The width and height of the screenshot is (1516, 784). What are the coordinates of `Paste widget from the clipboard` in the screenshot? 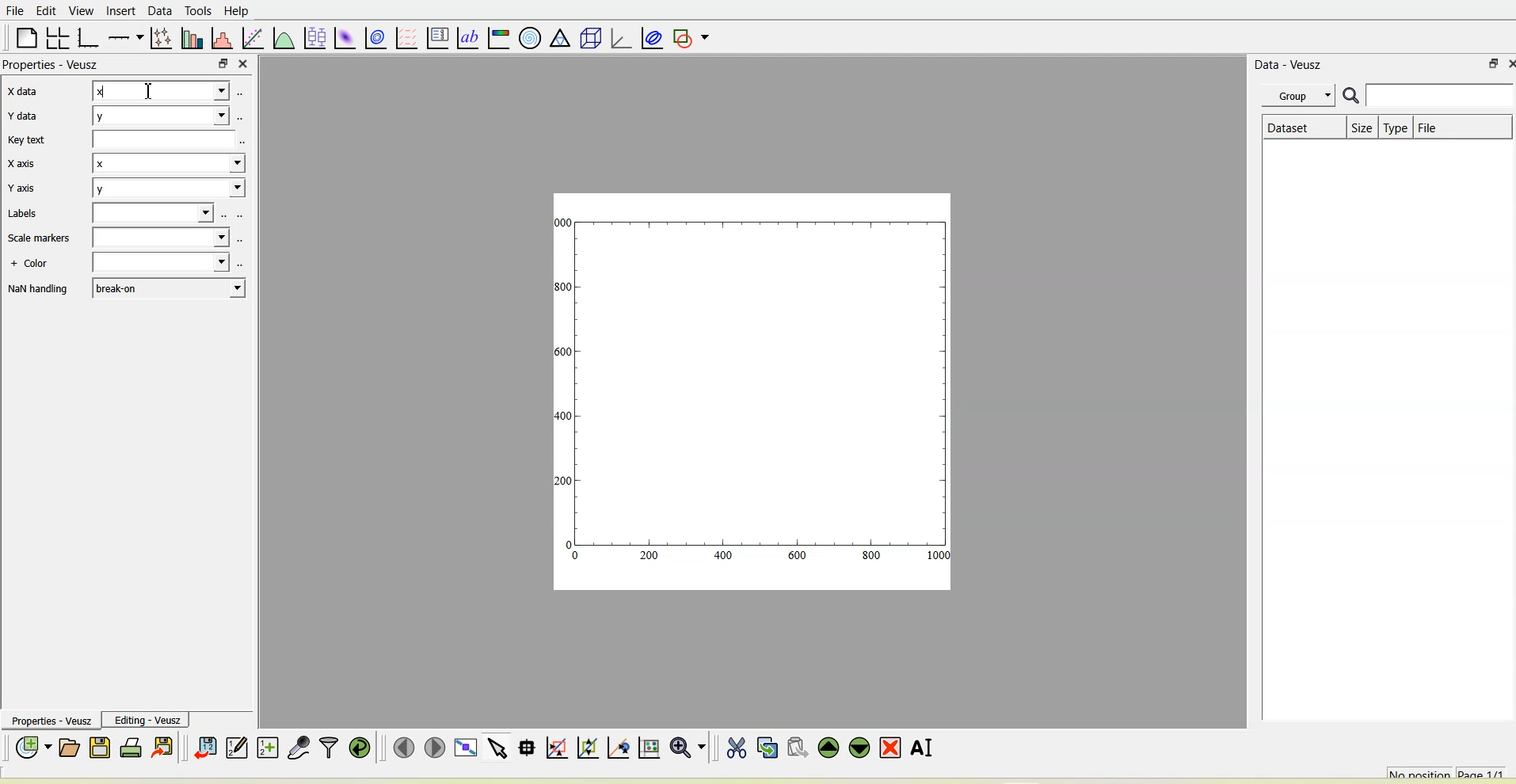 It's located at (798, 748).